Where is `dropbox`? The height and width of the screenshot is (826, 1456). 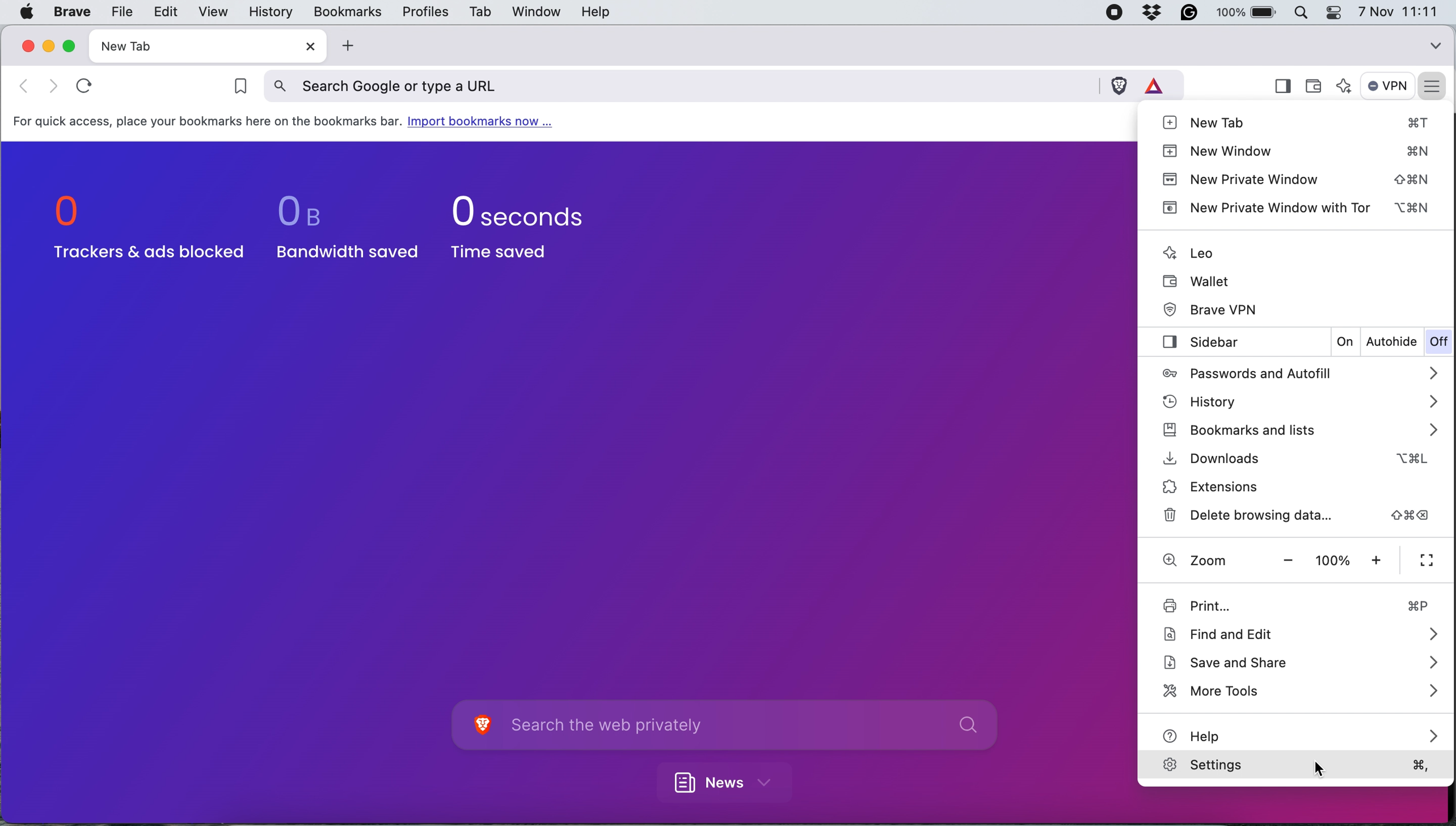 dropbox is located at coordinates (1157, 13).